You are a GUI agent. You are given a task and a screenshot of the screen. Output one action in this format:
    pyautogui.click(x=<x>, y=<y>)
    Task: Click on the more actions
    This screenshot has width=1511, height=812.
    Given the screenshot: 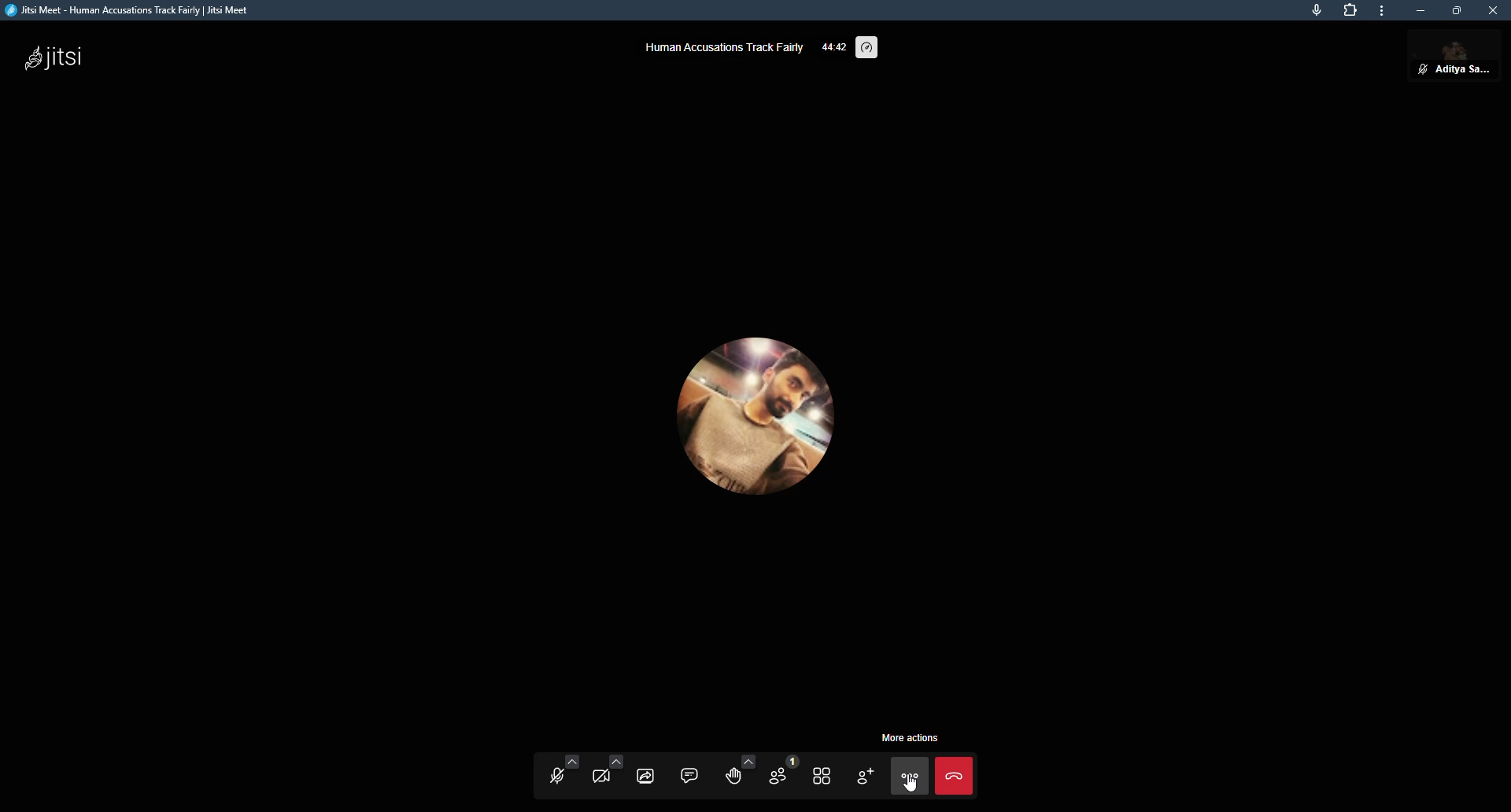 What is the action you would take?
    pyautogui.click(x=909, y=775)
    